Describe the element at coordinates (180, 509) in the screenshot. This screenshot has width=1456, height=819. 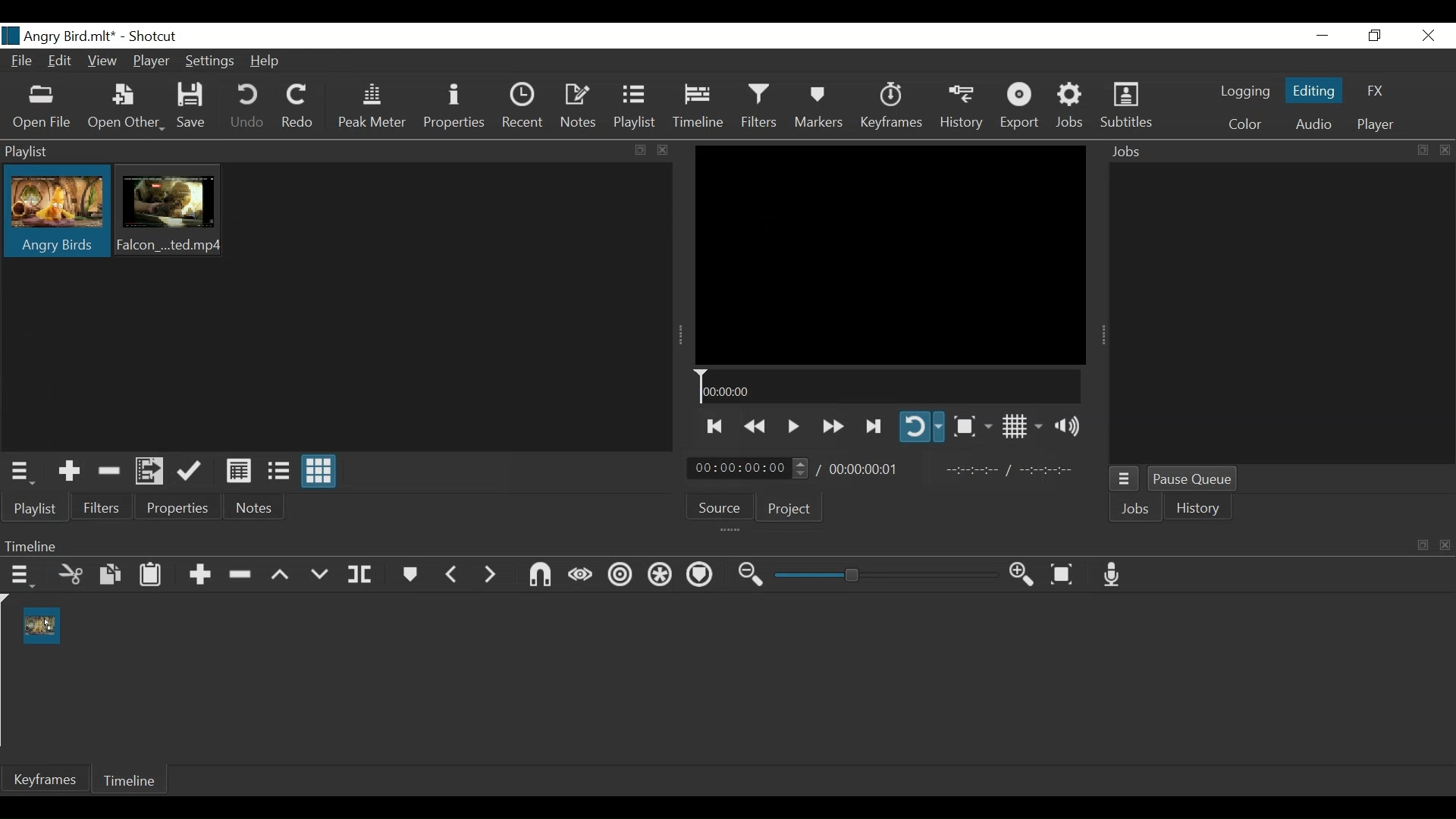
I see `Properties` at that location.